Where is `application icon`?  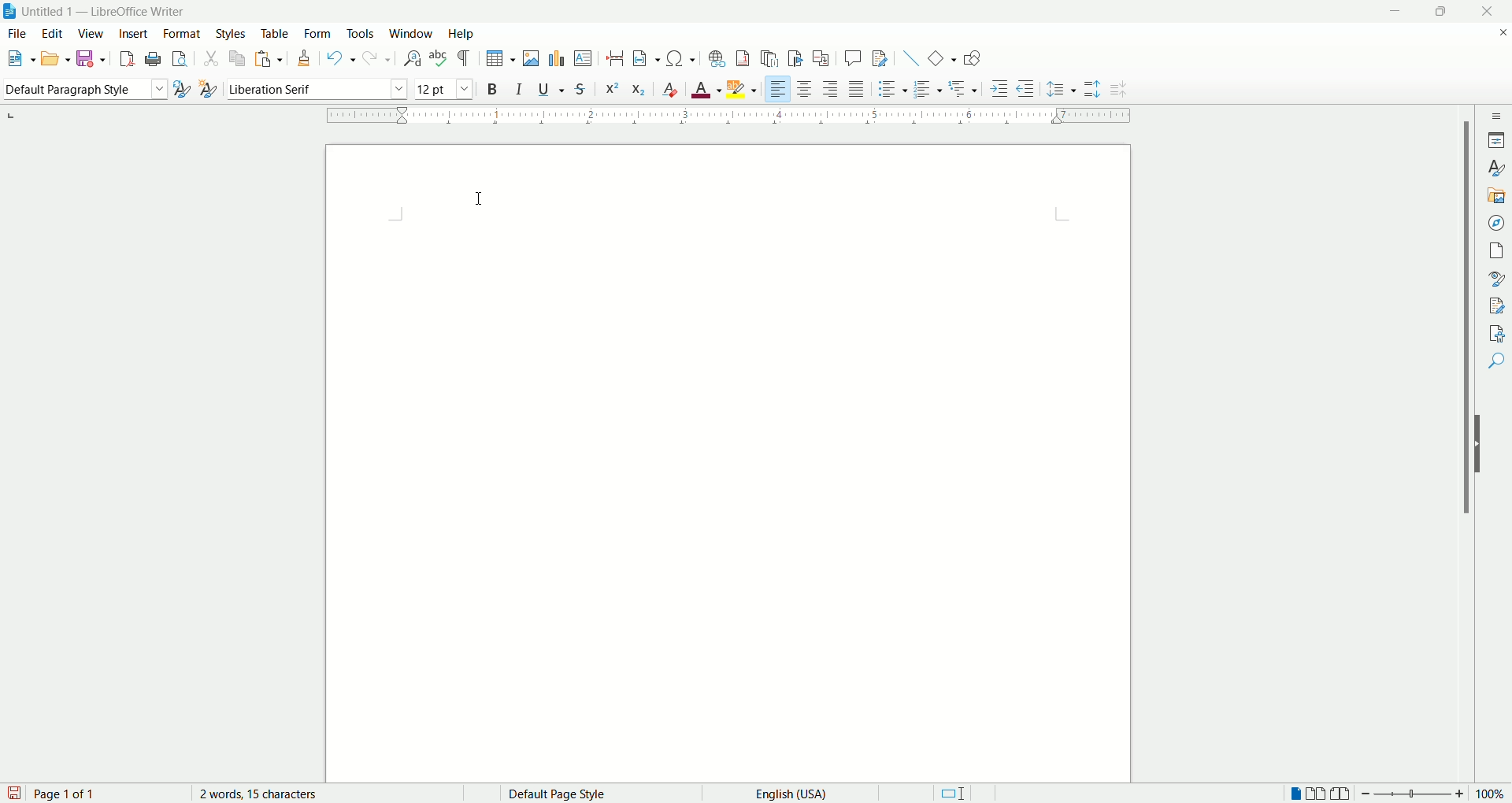 application icon is located at coordinates (11, 11).